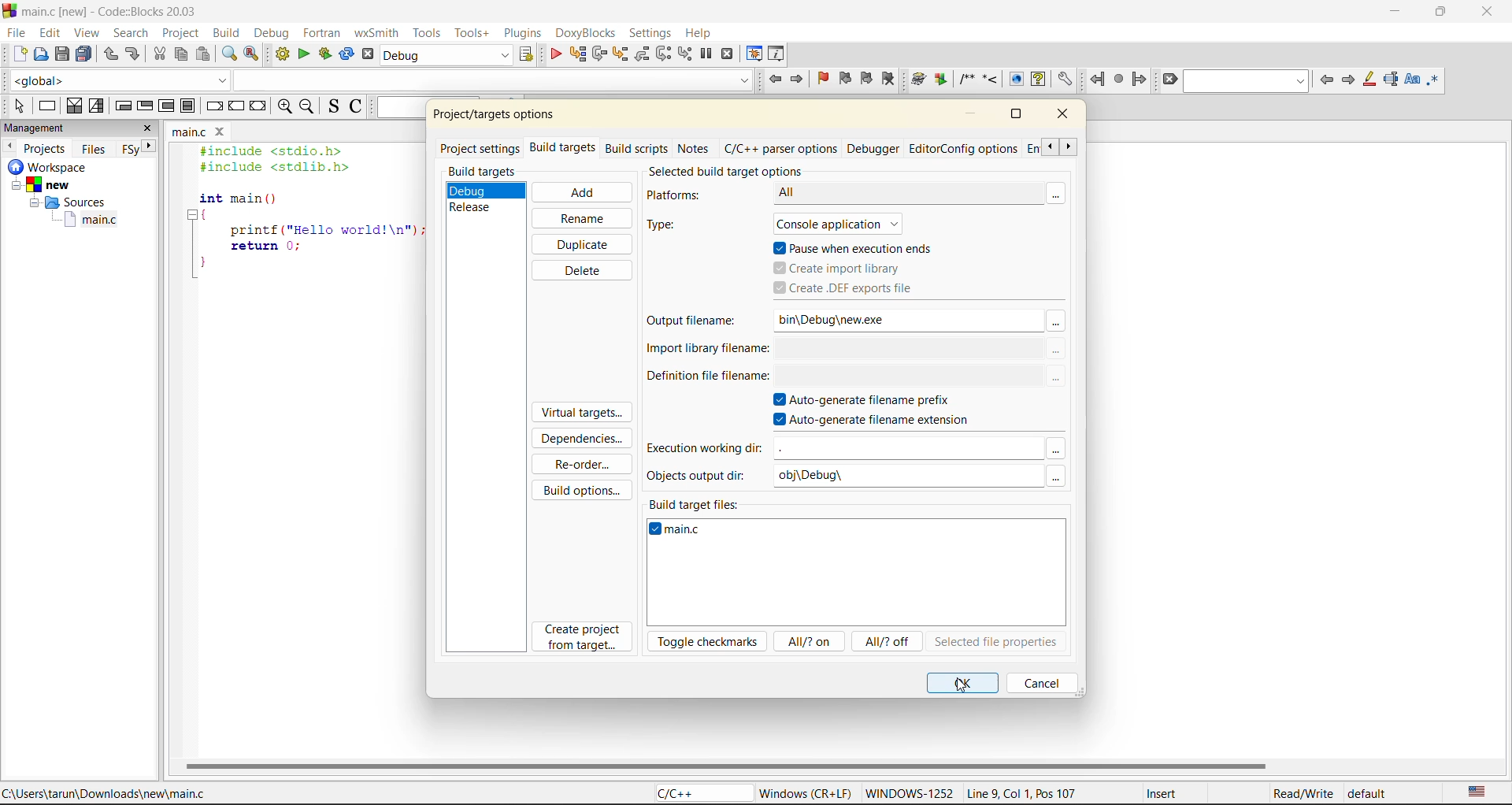 The image size is (1512, 805). Describe the element at coordinates (703, 352) in the screenshot. I see `import library filename` at that location.